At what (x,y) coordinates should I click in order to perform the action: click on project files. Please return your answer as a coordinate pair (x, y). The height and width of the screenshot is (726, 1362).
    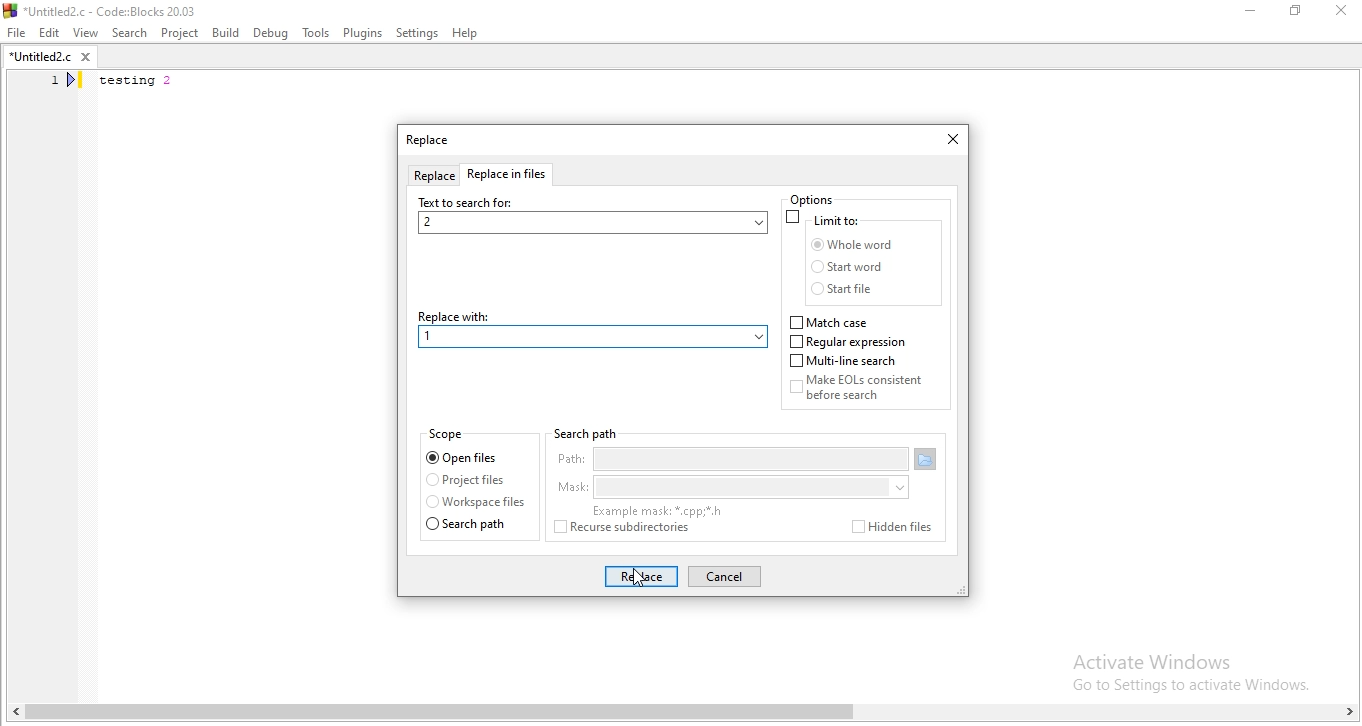
    Looking at the image, I should click on (466, 481).